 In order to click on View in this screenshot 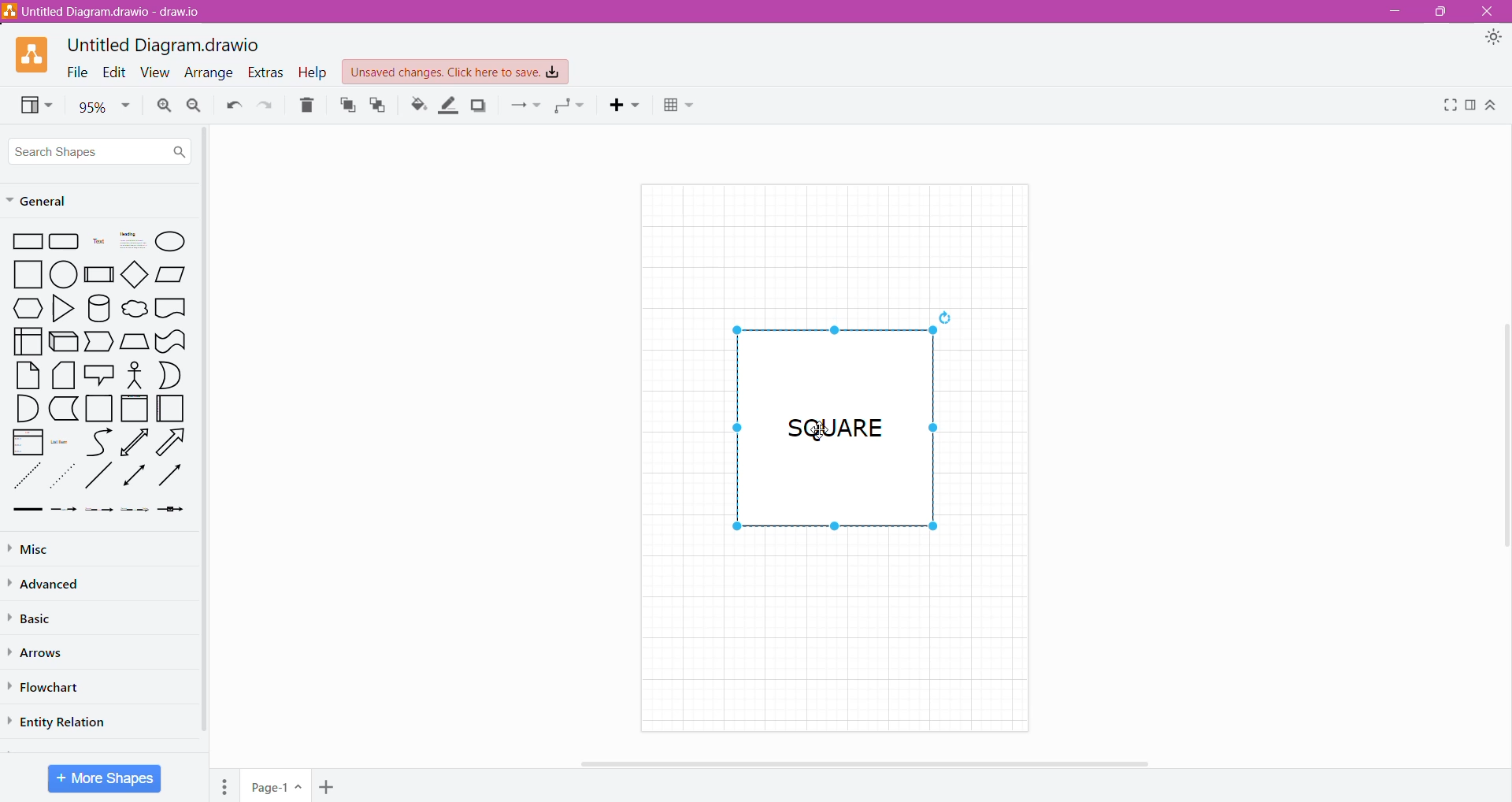, I will do `click(158, 72)`.